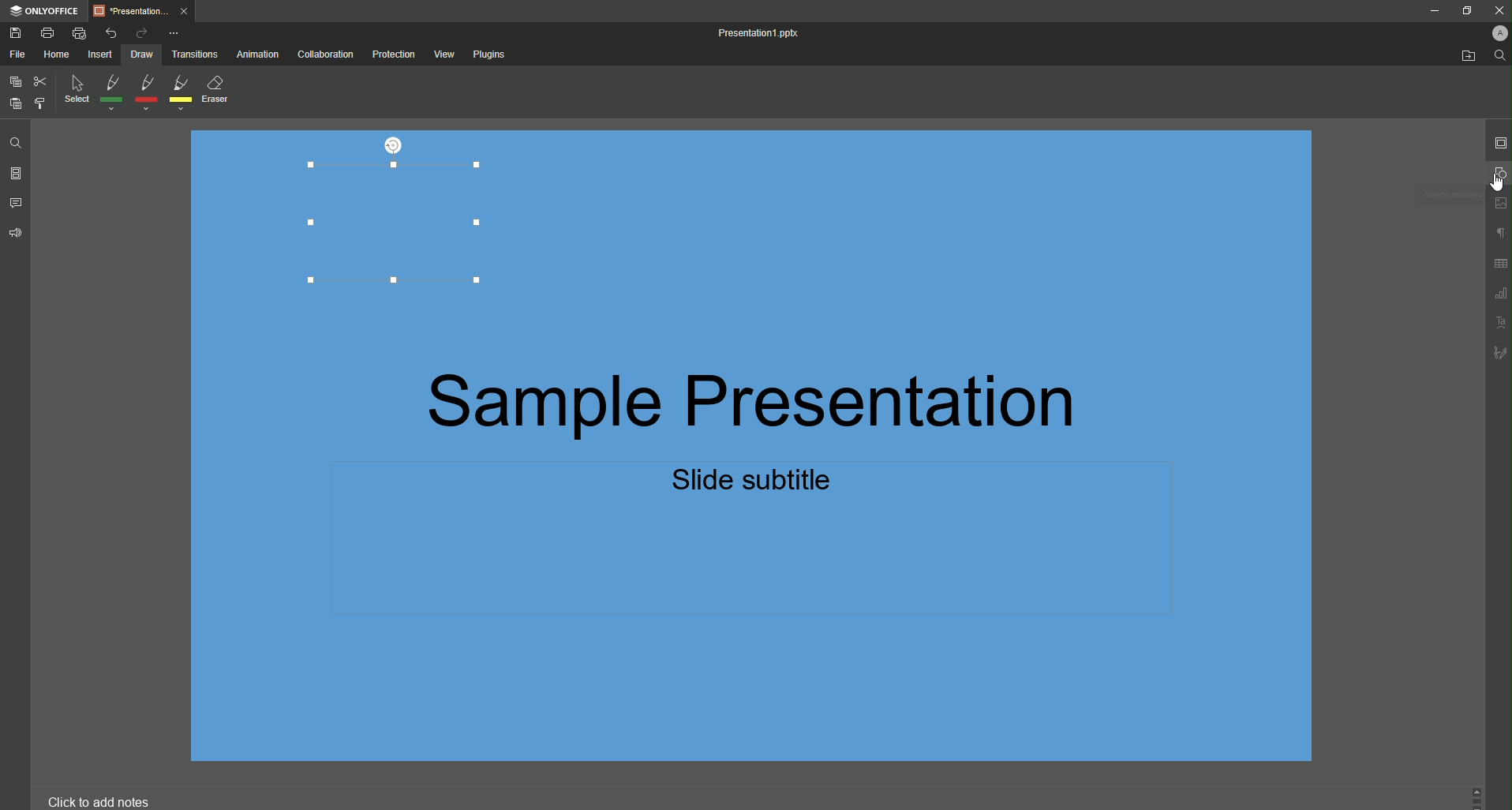 The width and height of the screenshot is (1512, 810). Describe the element at coordinates (75, 92) in the screenshot. I see `Select` at that location.